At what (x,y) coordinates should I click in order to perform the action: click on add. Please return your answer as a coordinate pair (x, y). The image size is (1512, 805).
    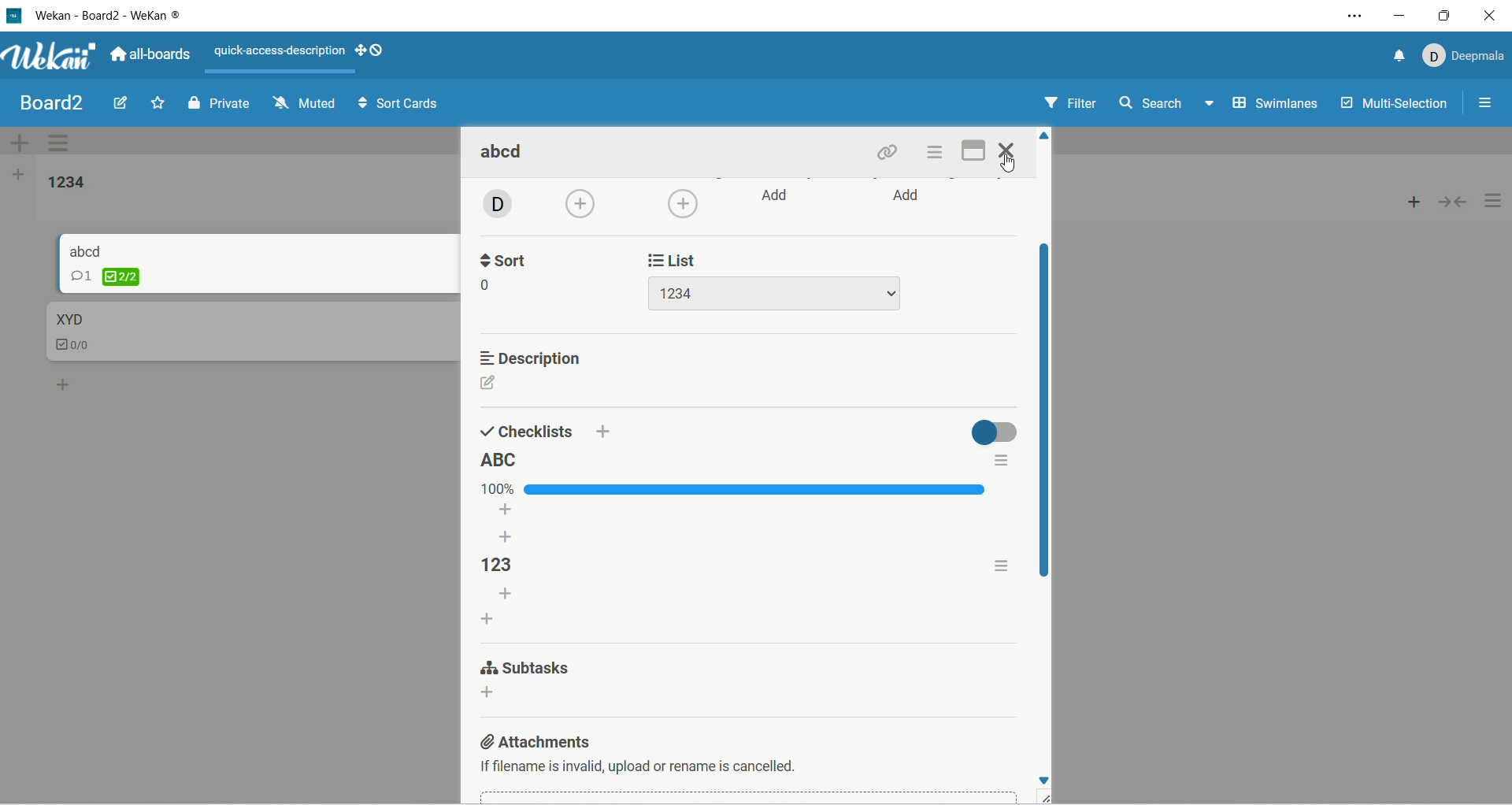
    Looking at the image, I should click on (777, 195).